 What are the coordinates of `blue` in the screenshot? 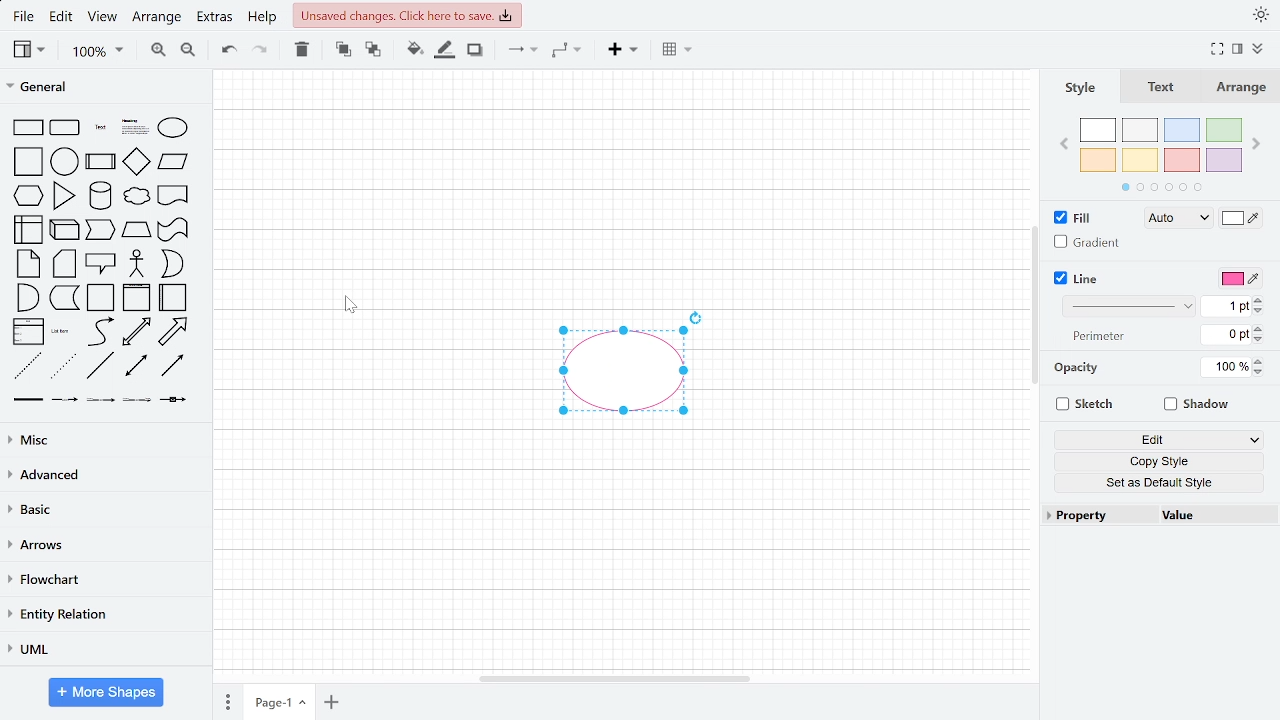 It's located at (1183, 130).